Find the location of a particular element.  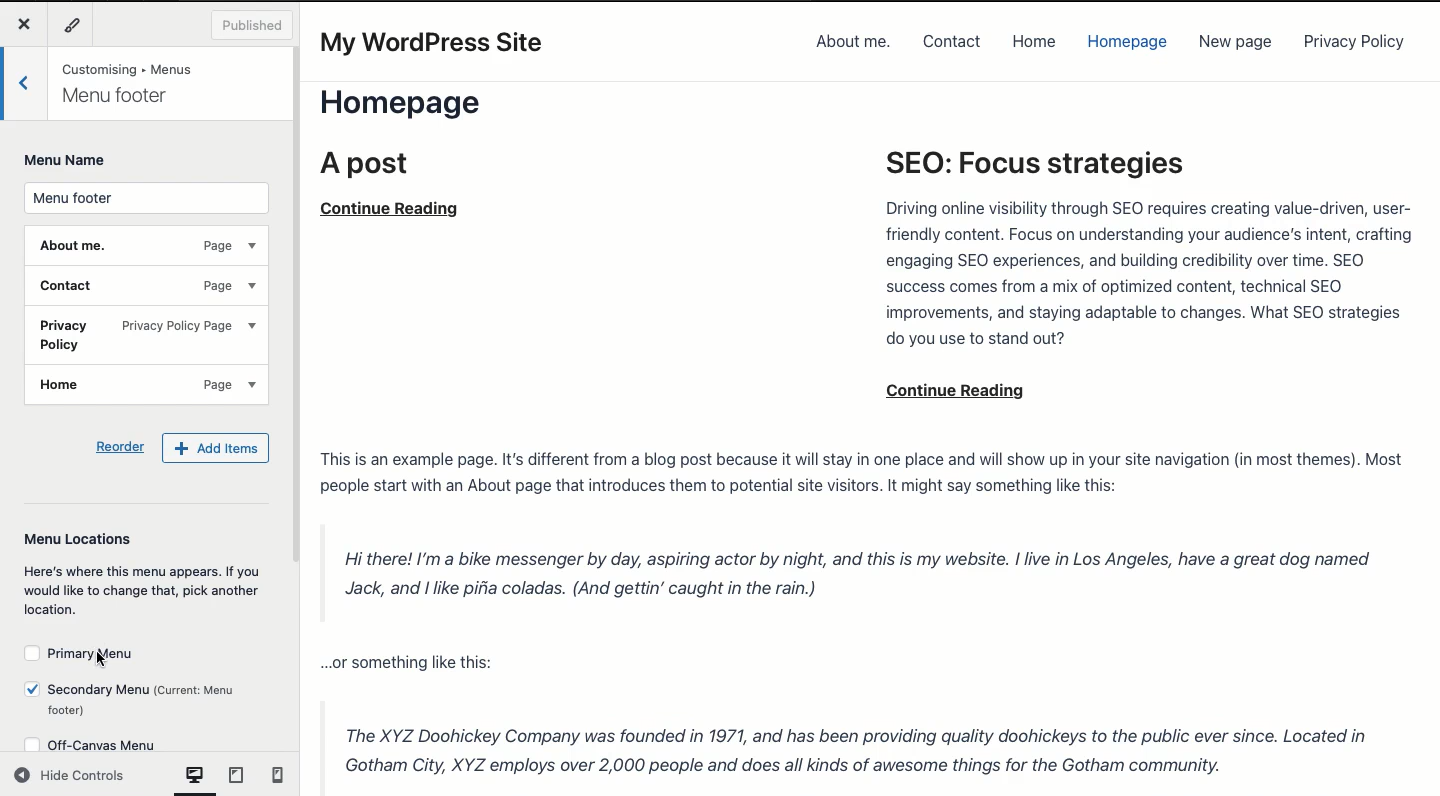

cursor is located at coordinates (106, 661).